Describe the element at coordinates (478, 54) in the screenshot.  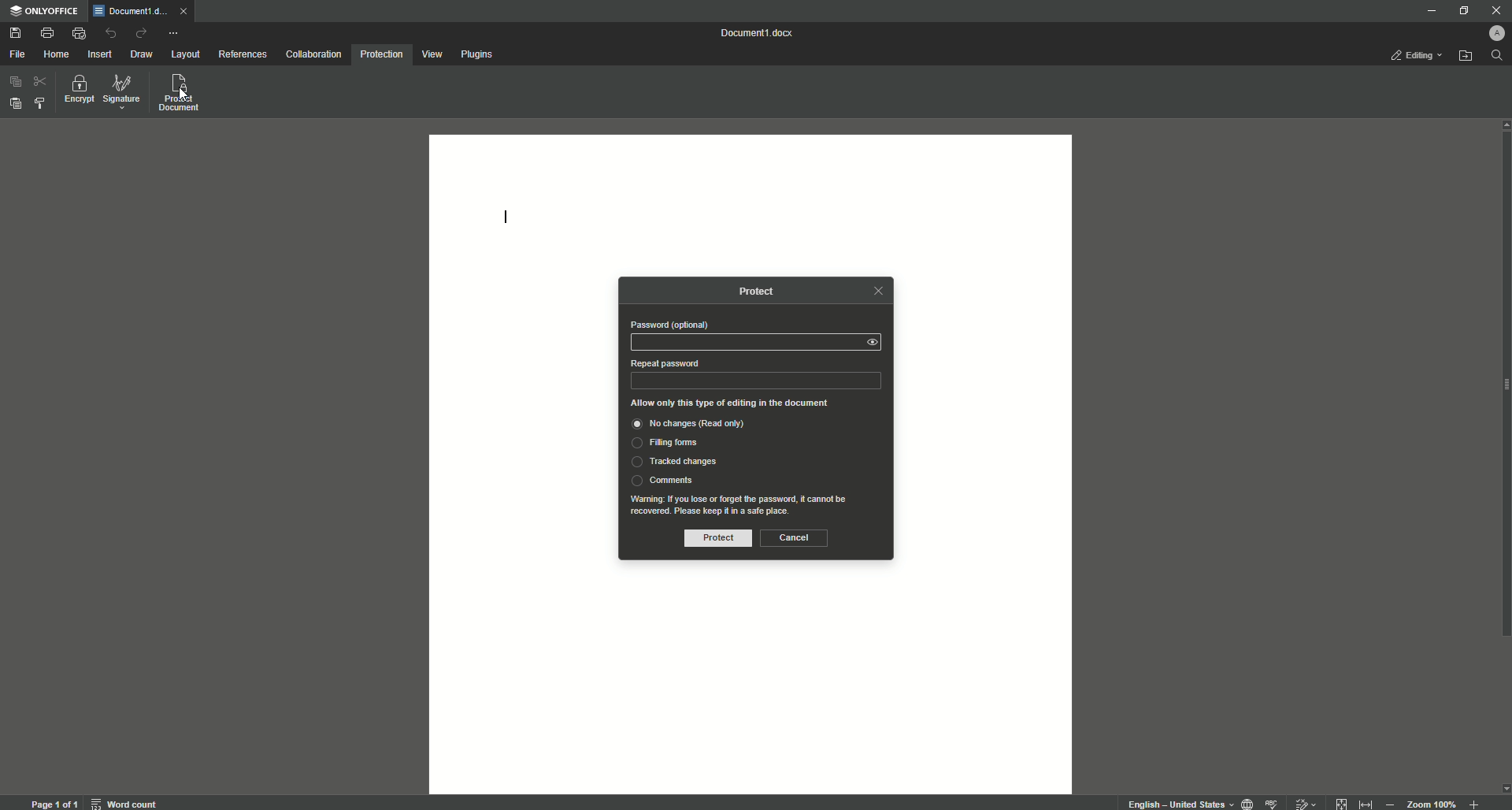
I see `Plugins` at that location.